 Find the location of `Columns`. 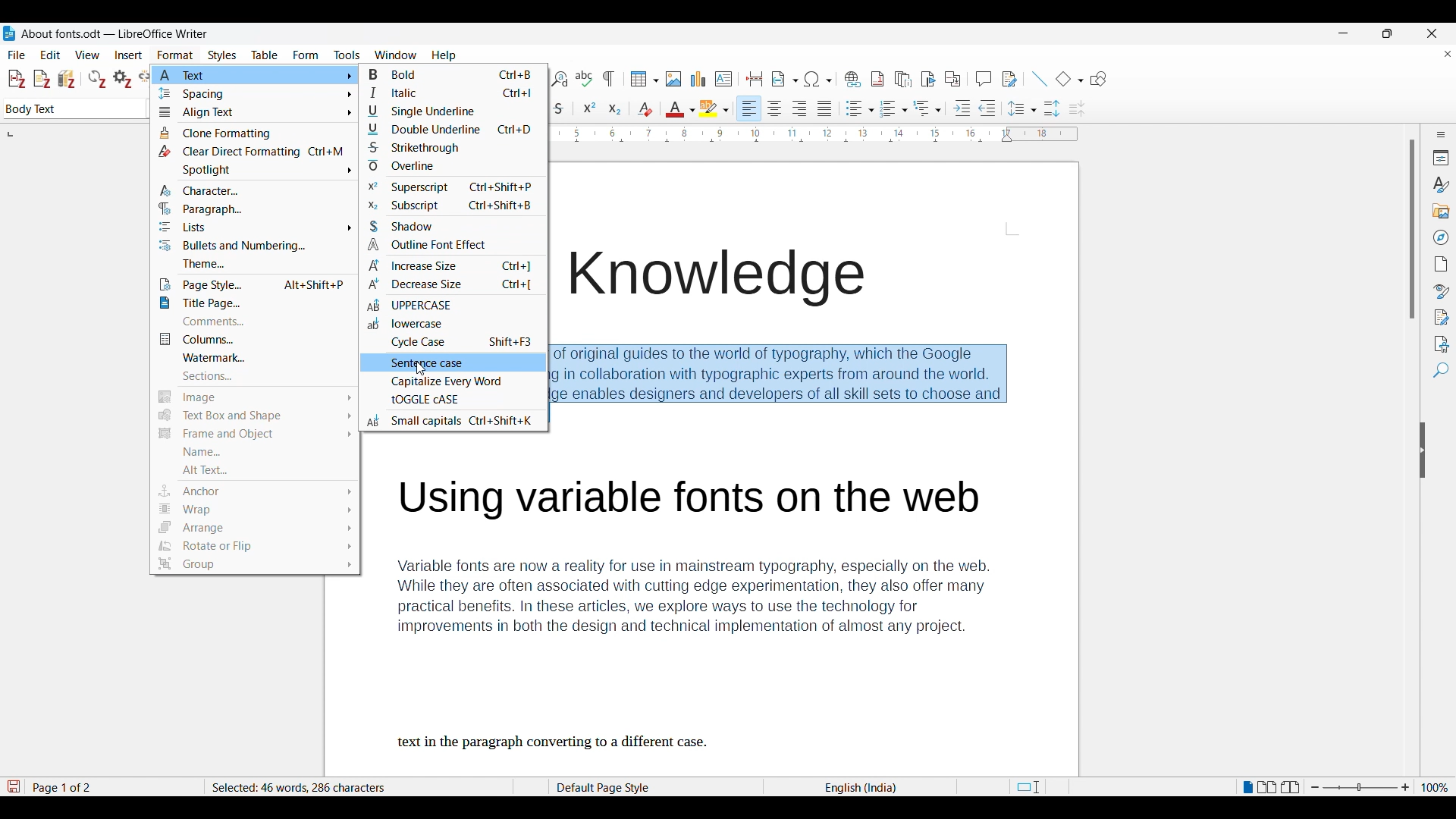

Columns is located at coordinates (249, 340).